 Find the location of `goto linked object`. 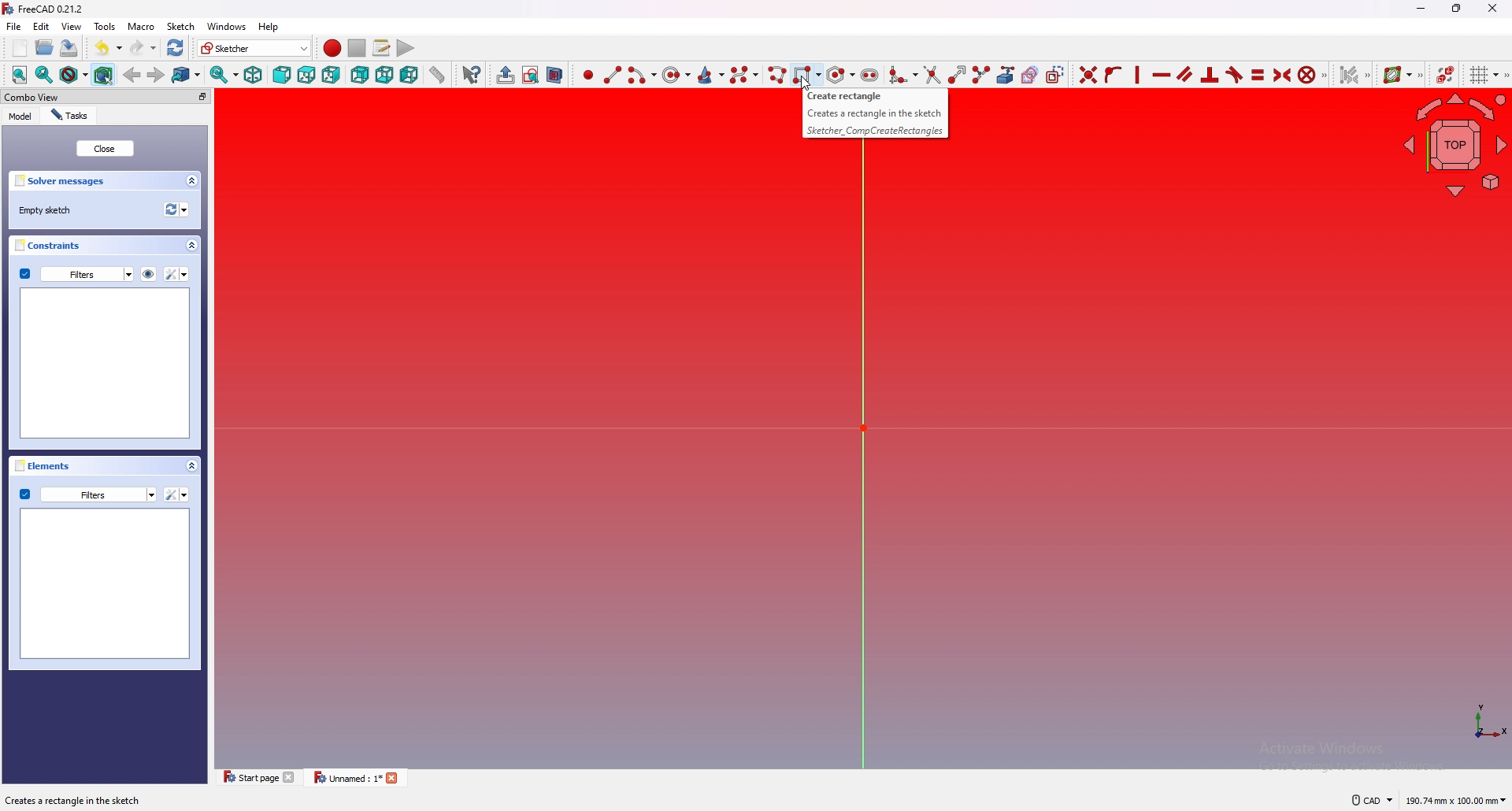

goto linked object is located at coordinates (187, 75).